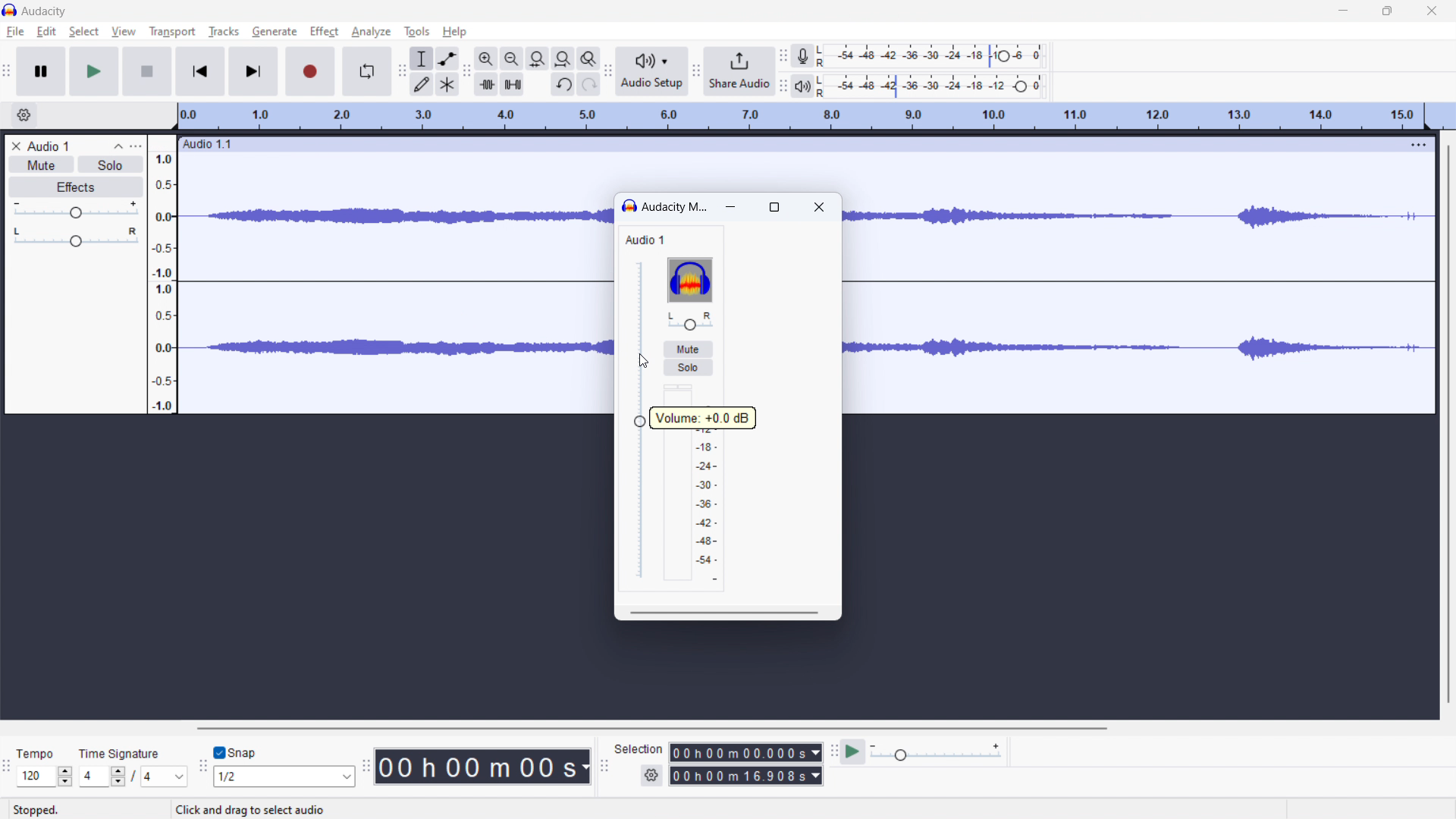 The height and width of the screenshot is (819, 1456). Describe the element at coordinates (126, 33) in the screenshot. I see `cursor` at that location.